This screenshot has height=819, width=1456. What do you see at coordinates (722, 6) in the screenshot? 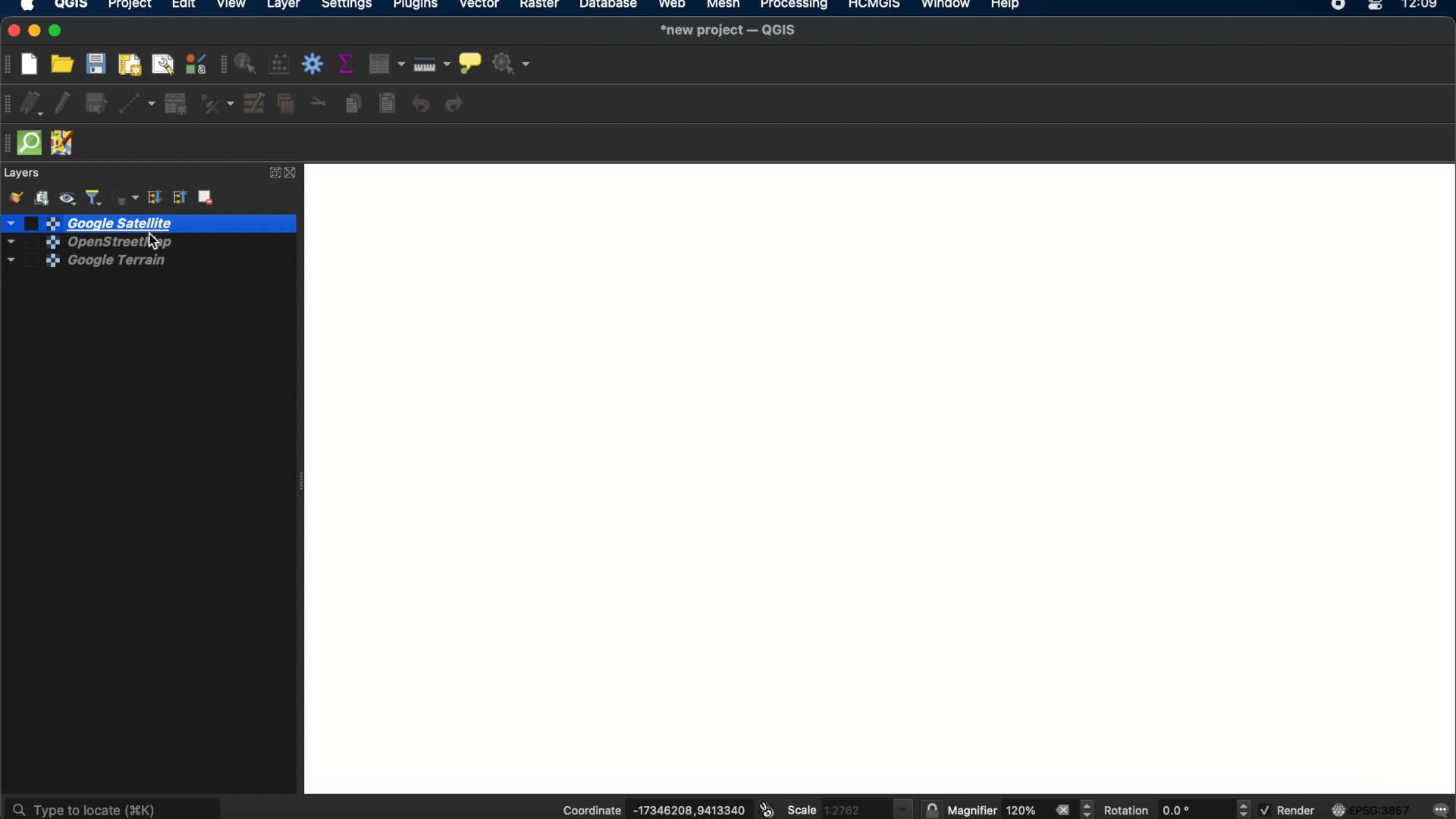
I see `mesh` at bounding box center [722, 6].